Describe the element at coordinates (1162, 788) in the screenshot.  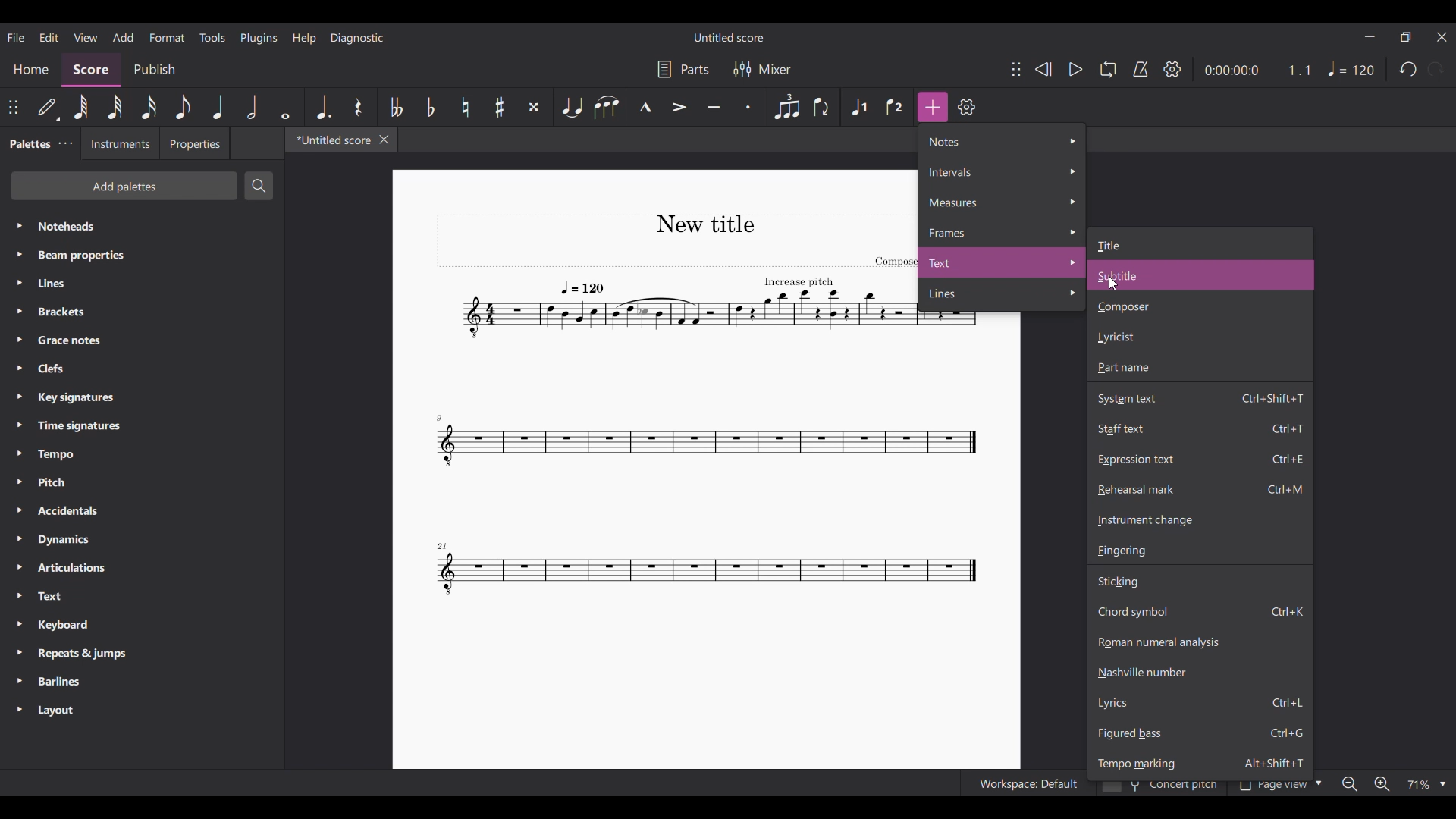
I see `Concert pitch toggle` at that location.